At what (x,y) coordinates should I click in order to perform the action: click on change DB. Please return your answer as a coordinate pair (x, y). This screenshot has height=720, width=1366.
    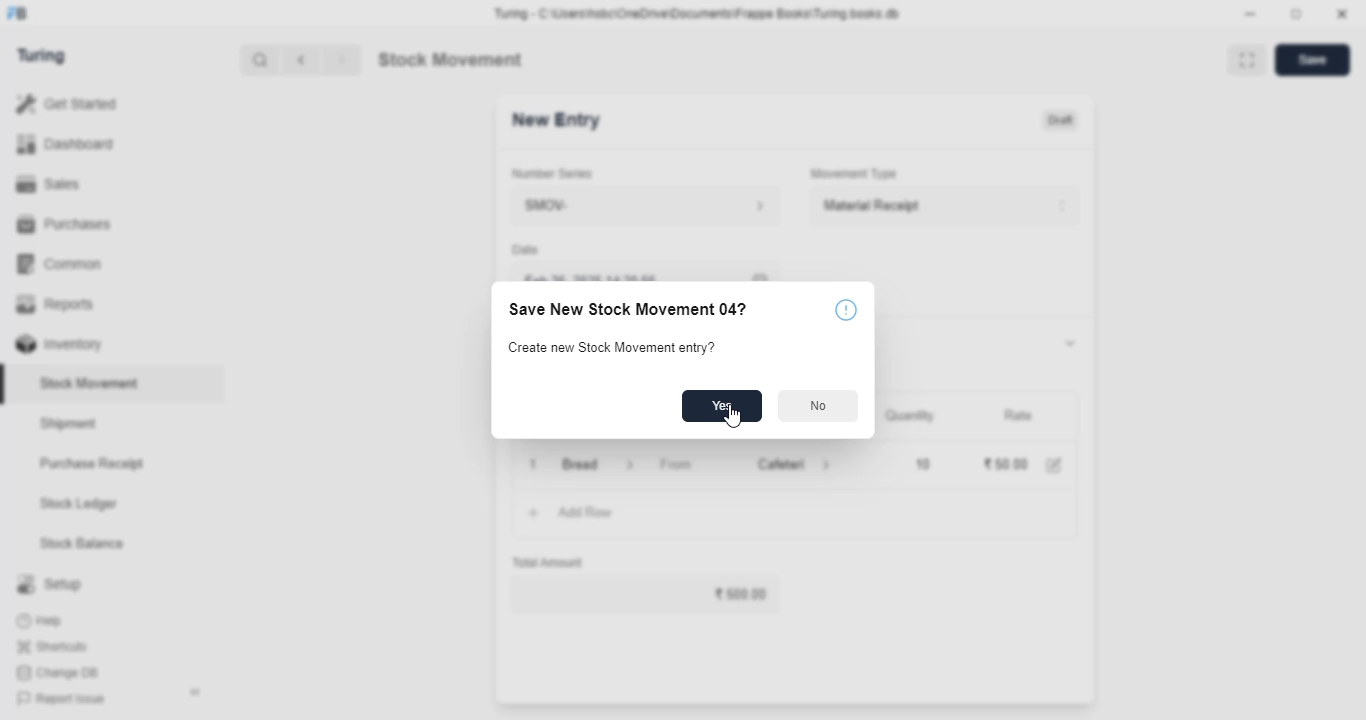
    Looking at the image, I should click on (58, 673).